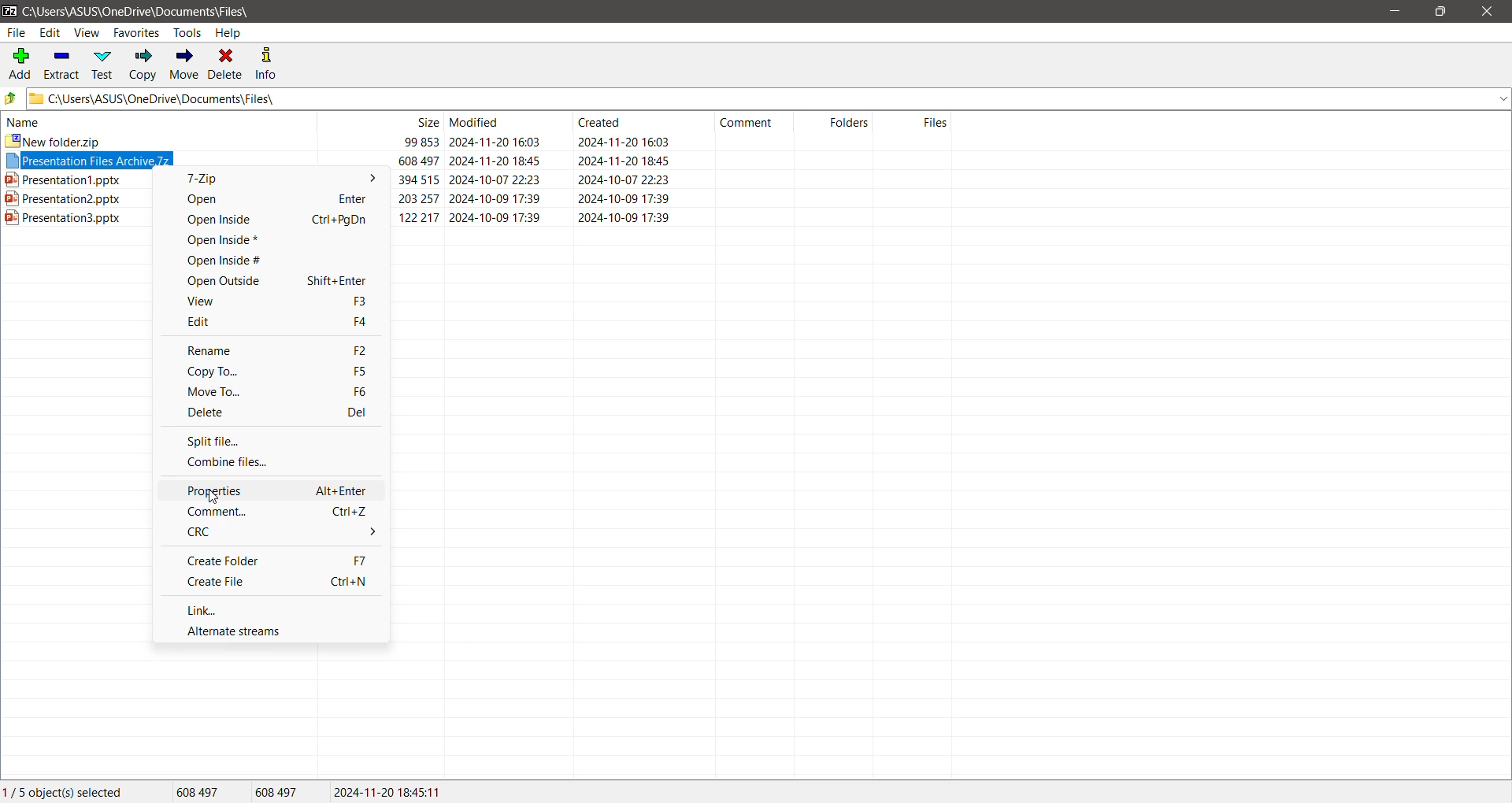 The height and width of the screenshot is (803, 1512). What do you see at coordinates (752, 124) in the screenshot?
I see `comment` at bounding box center [752, 124].